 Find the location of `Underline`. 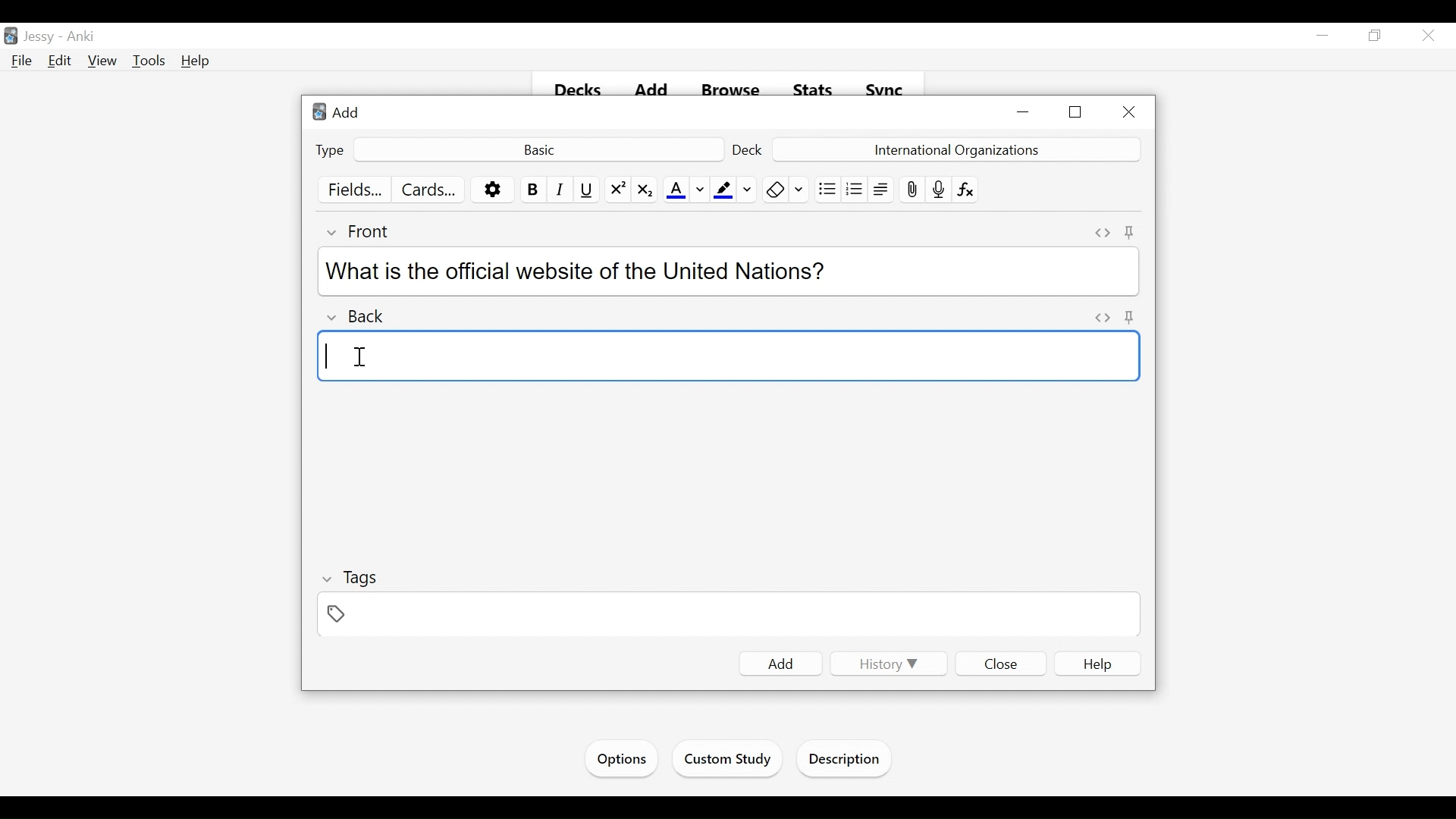

Underline is located at coordinates (588, 190).